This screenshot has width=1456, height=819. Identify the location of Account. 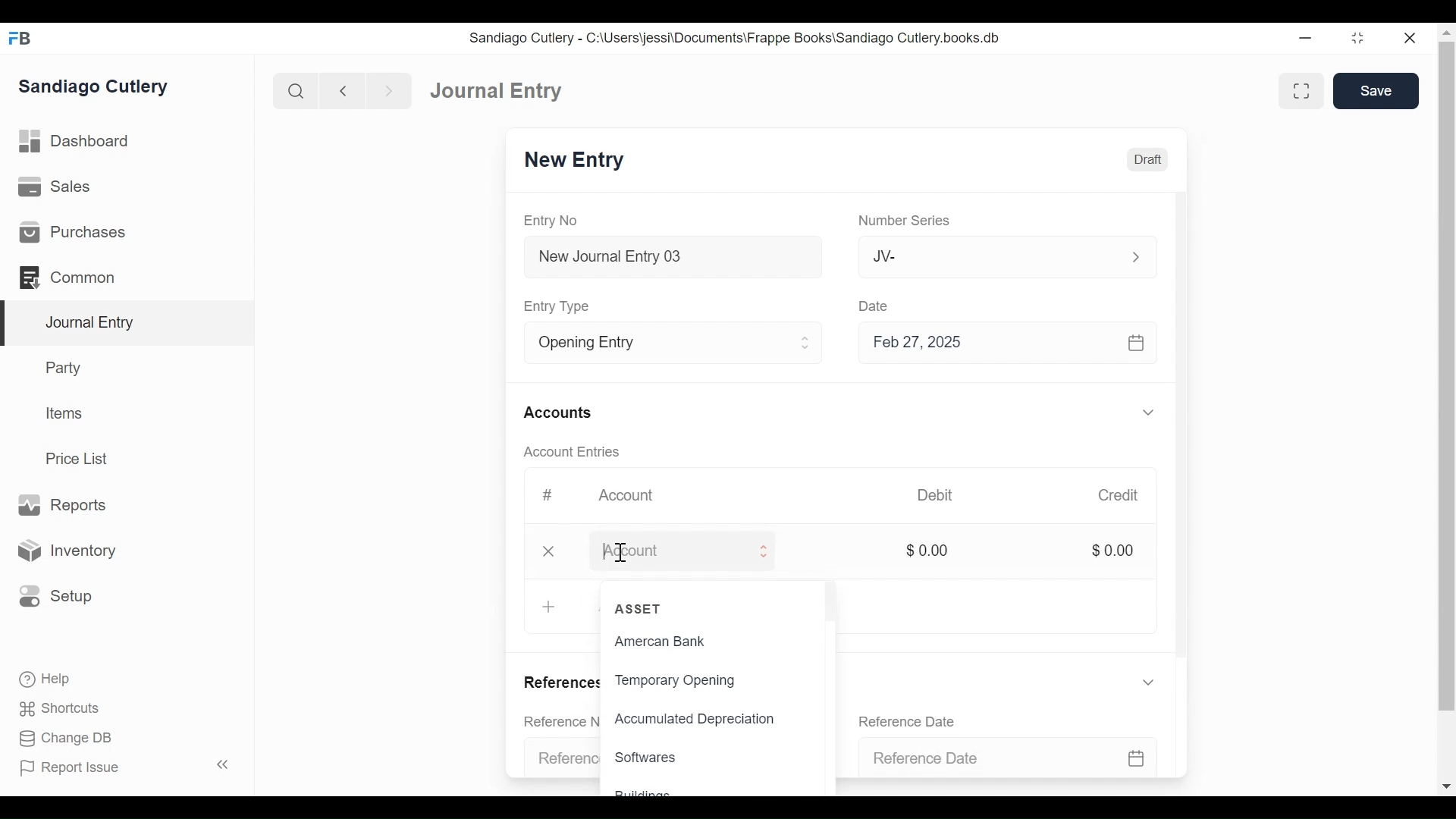
(669, 549).